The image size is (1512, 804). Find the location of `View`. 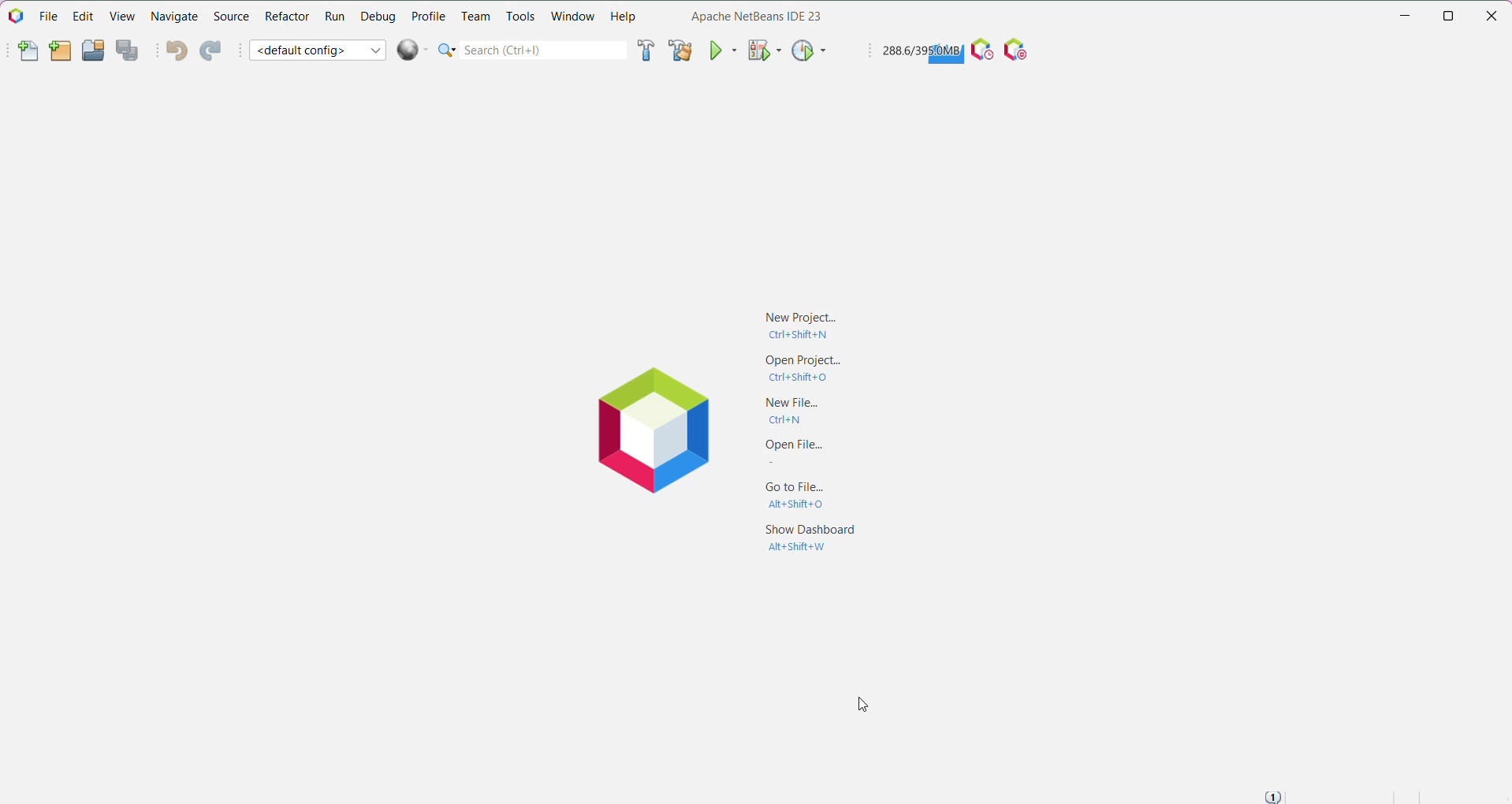

View is located at coordinates (121, 17).